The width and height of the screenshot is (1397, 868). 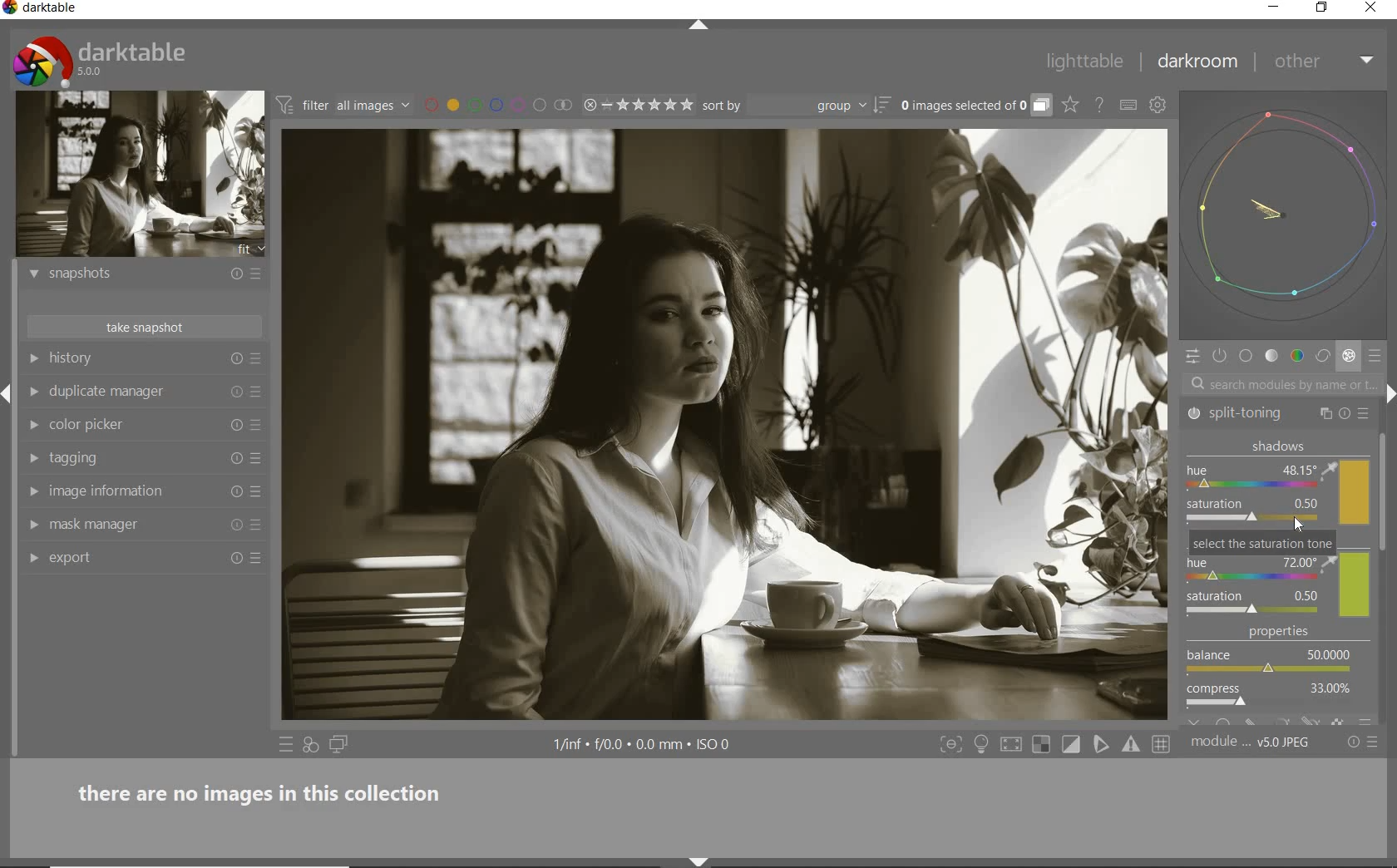 I want to click on reset, so click(x=1345, y=414).